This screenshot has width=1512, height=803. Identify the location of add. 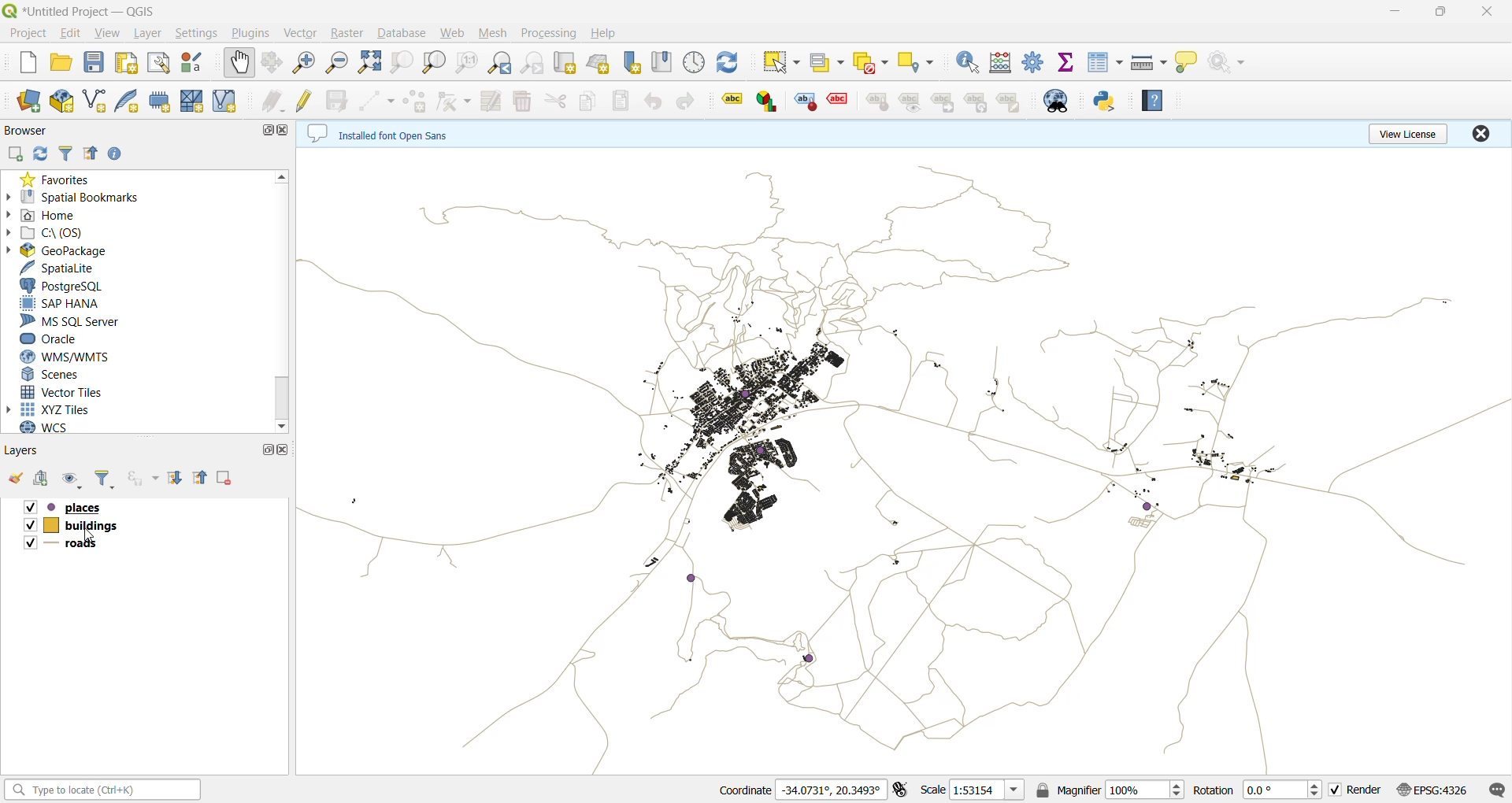
(17, 154).